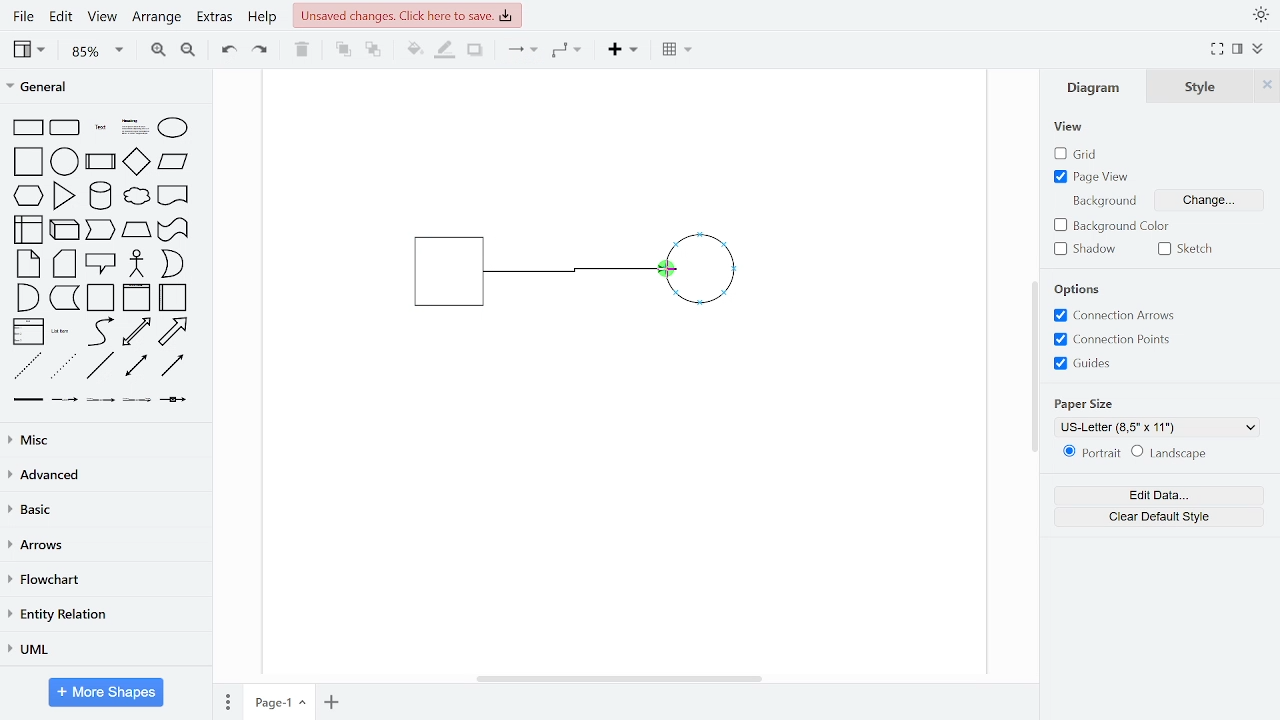 This screenshot has width=1280, height=720. I want to click on diamond, so click(136, 163).